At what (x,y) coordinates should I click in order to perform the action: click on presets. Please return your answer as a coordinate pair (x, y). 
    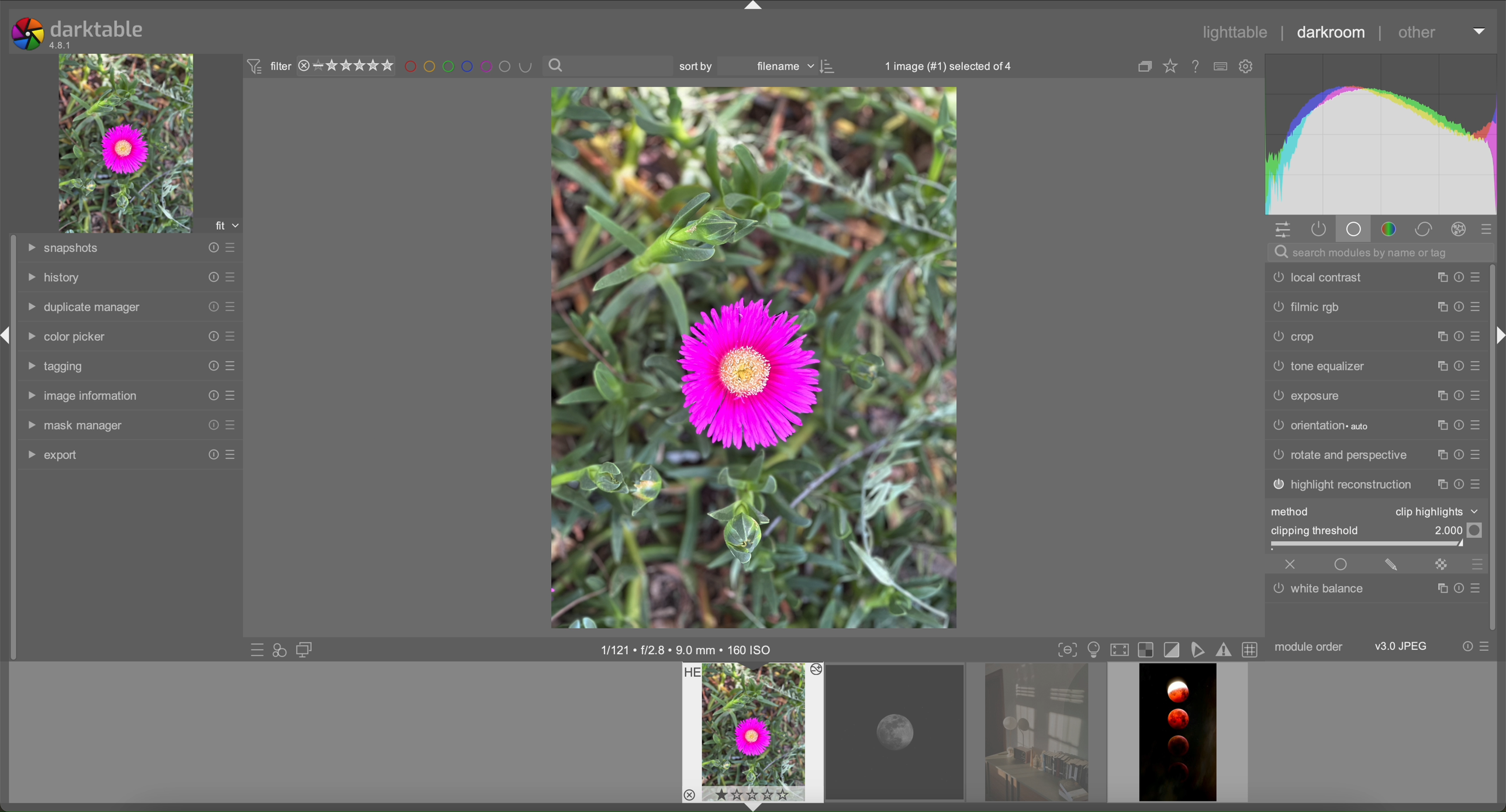
    Looking at the image, I should click on (1477, 335).